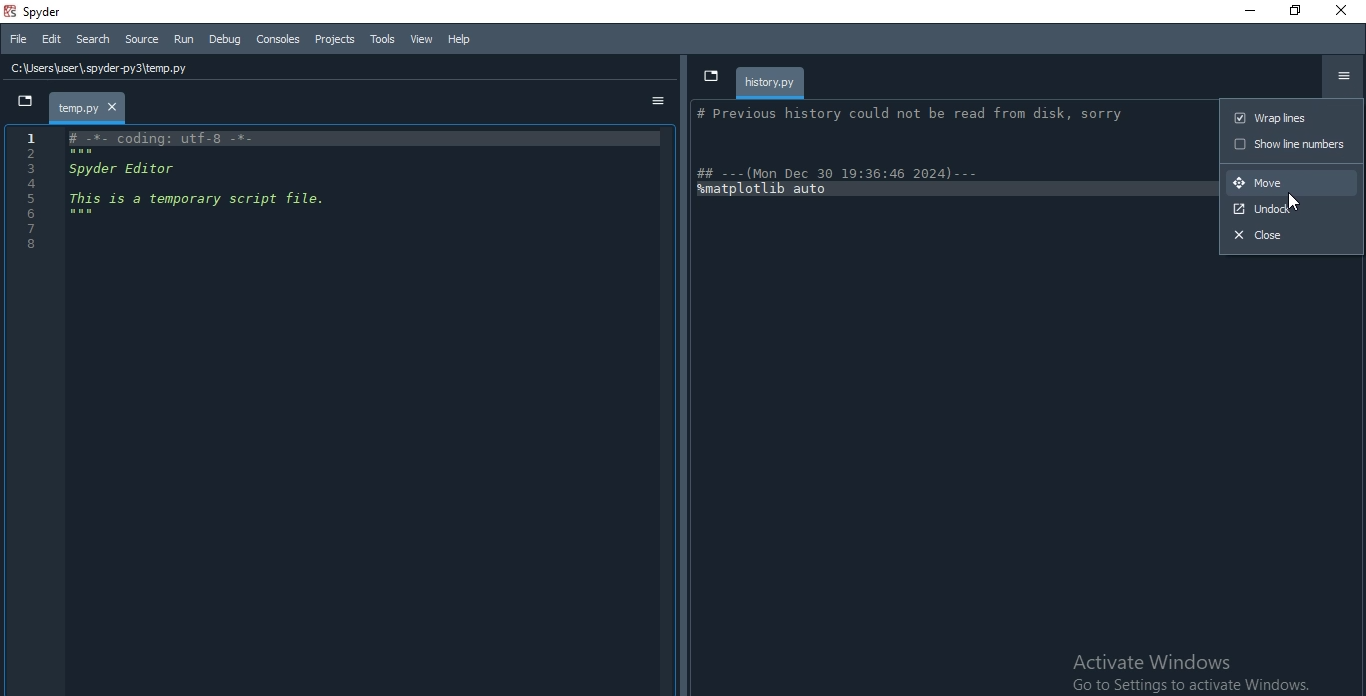  I want to click on Run, so click(184, 38).